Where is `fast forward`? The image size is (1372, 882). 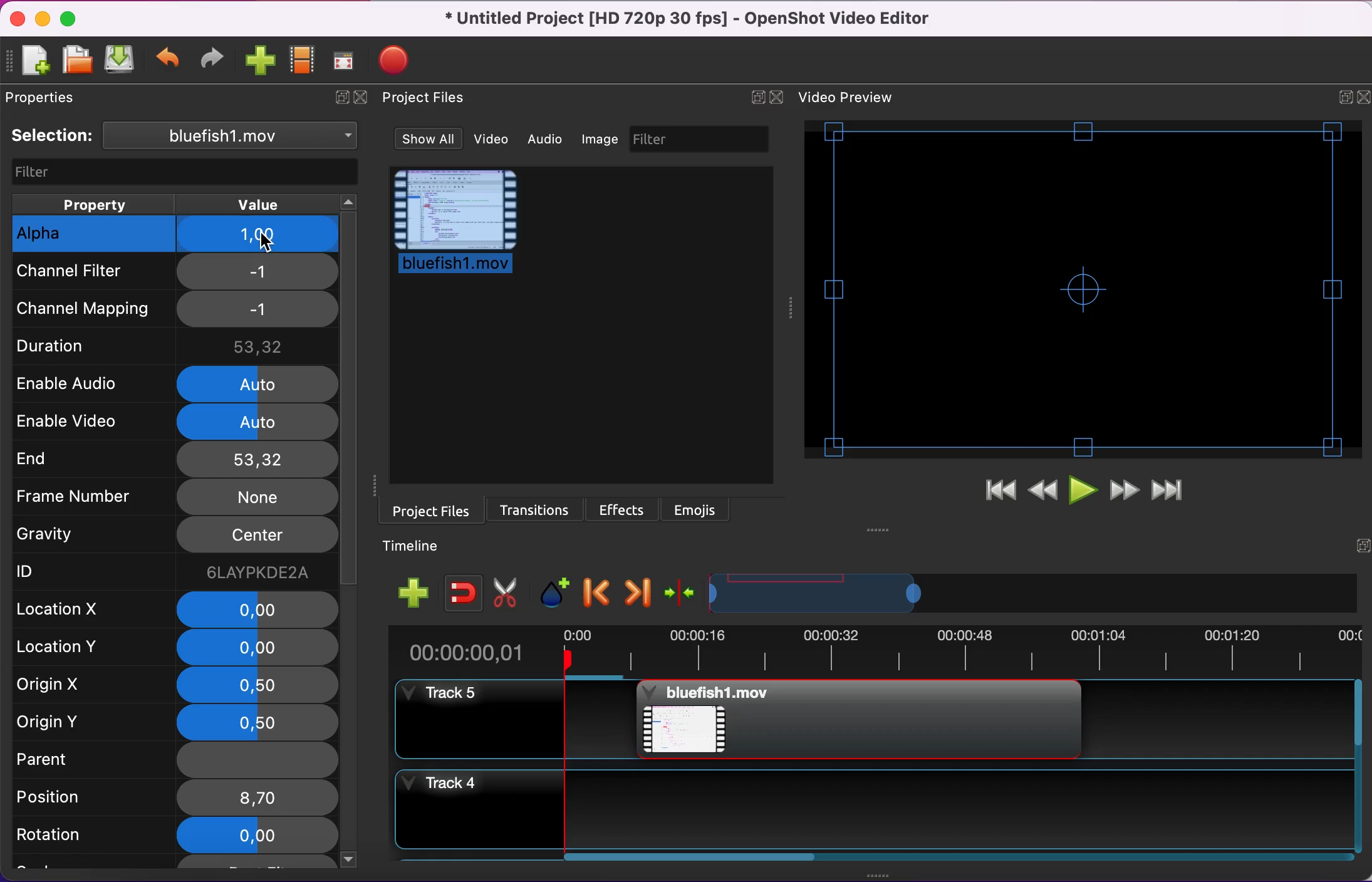 fast forward is located at coordinates (1126, 490).